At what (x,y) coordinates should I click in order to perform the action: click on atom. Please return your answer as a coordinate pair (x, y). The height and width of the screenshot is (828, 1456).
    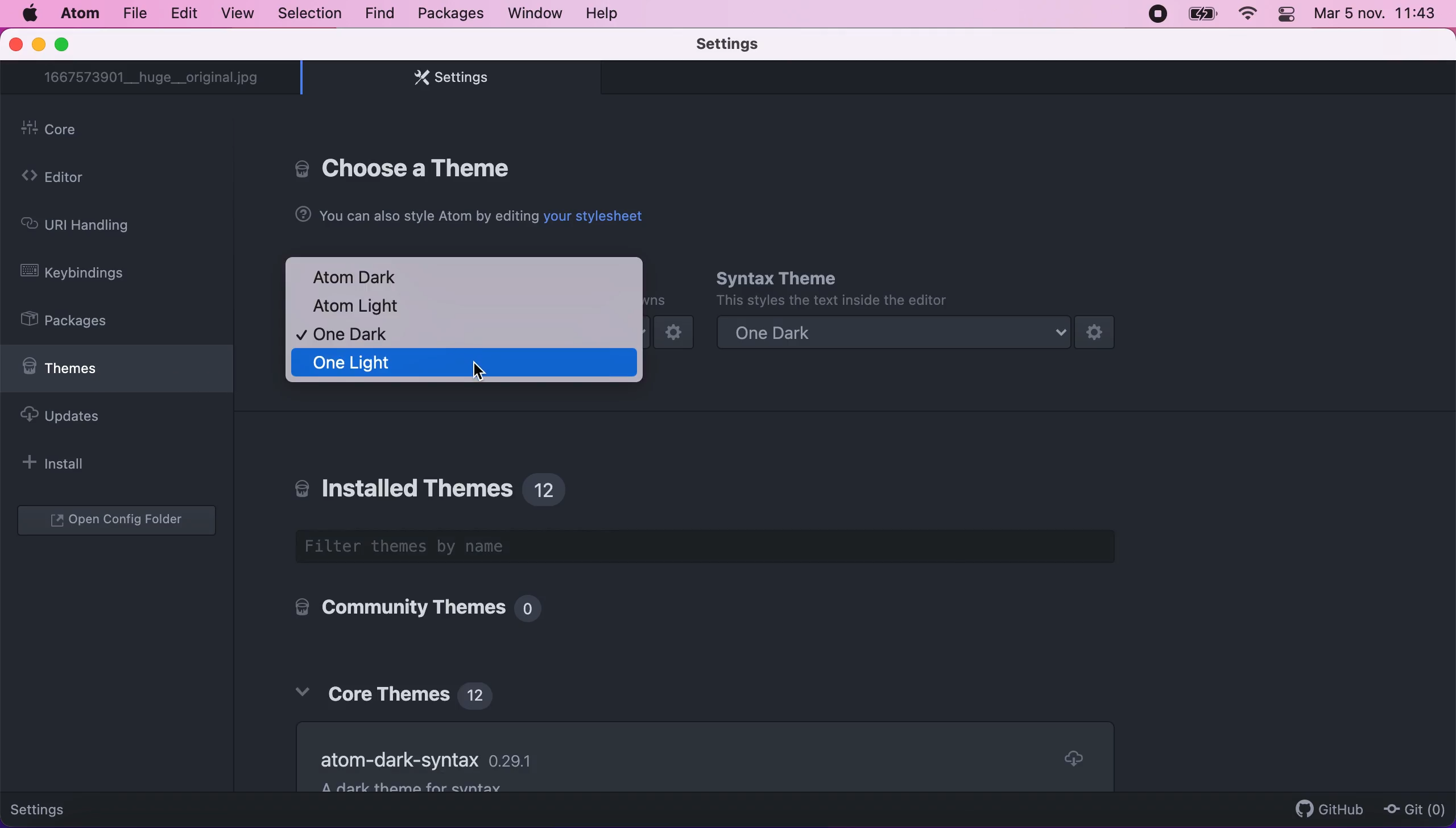
    Looking at the image, I should click on (78, 16).